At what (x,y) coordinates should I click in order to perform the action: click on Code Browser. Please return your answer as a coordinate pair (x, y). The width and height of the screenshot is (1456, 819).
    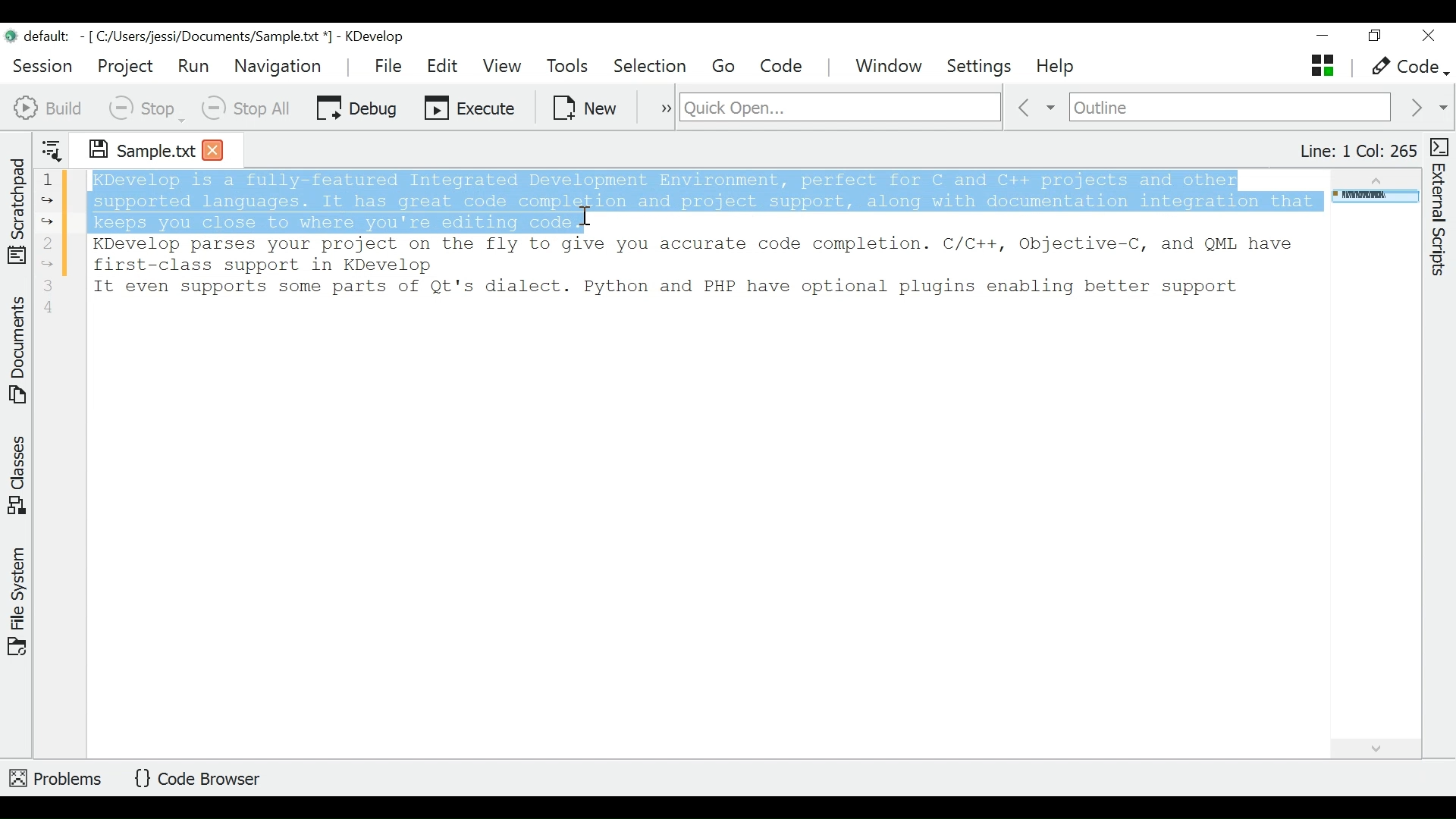
    Looking at the image, I should click on (202, 780).